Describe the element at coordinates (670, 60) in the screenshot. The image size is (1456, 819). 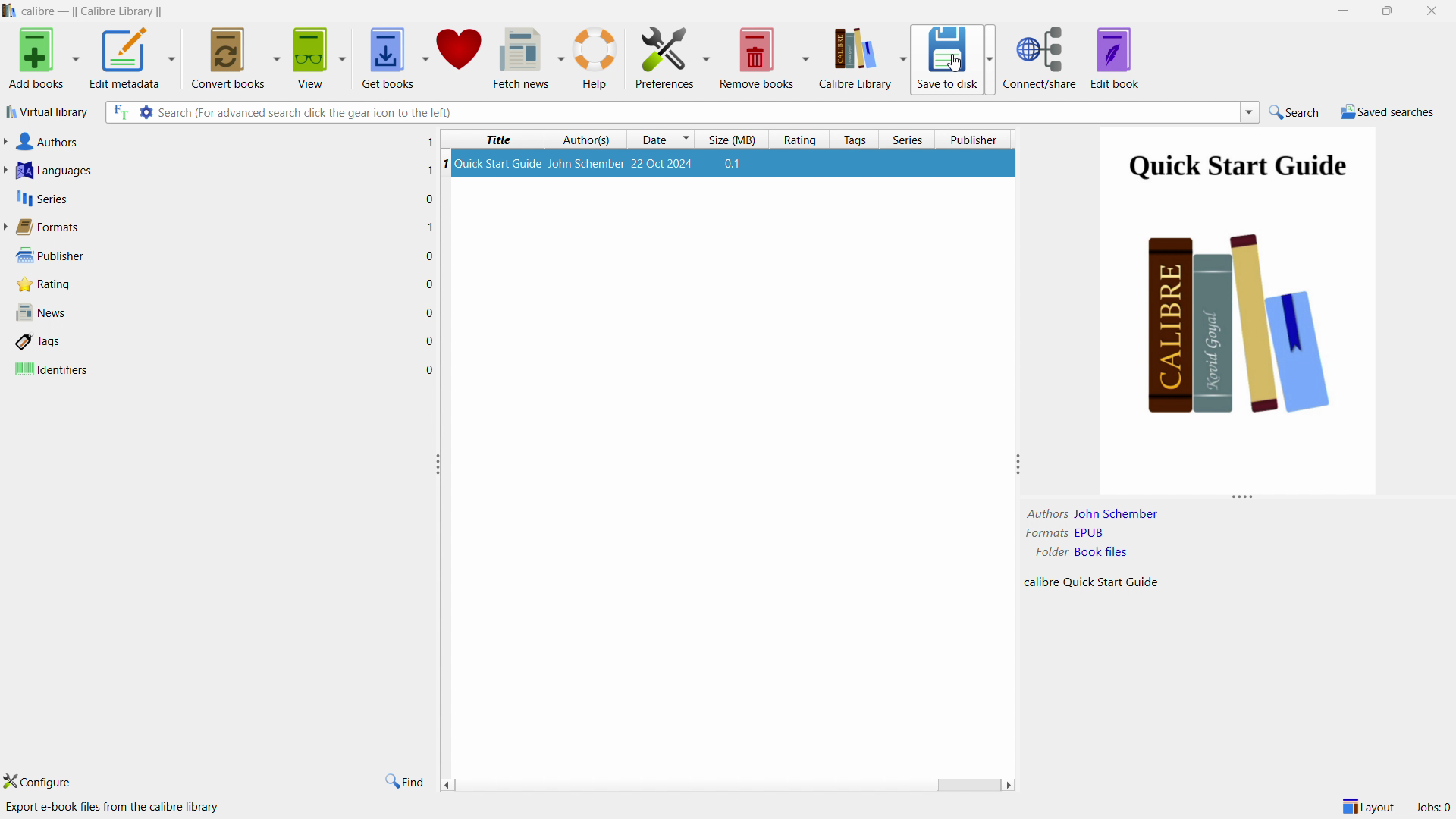
I see `Preferences` at that location.